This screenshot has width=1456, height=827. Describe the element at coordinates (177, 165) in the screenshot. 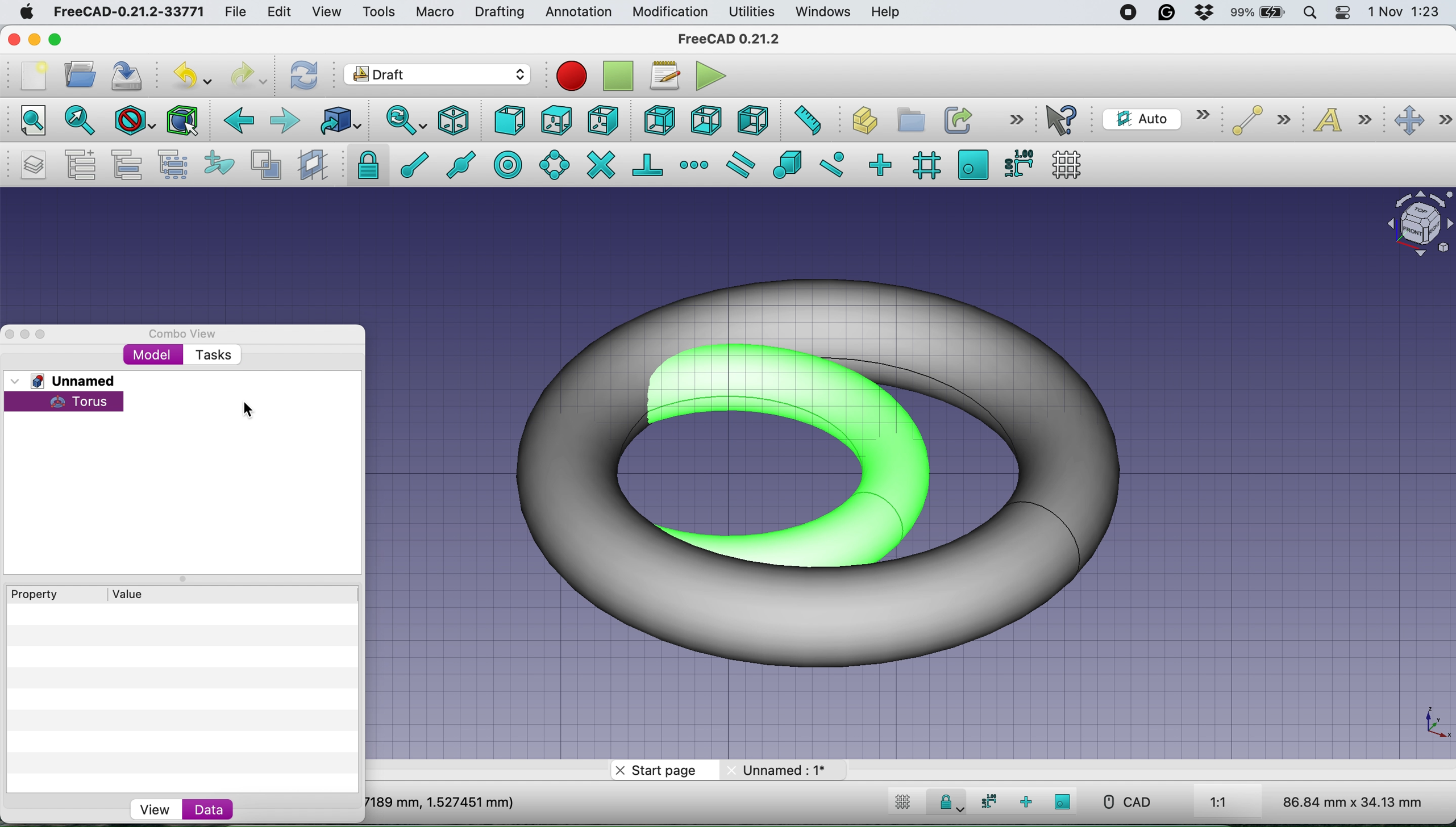

I see `select group` at that location.